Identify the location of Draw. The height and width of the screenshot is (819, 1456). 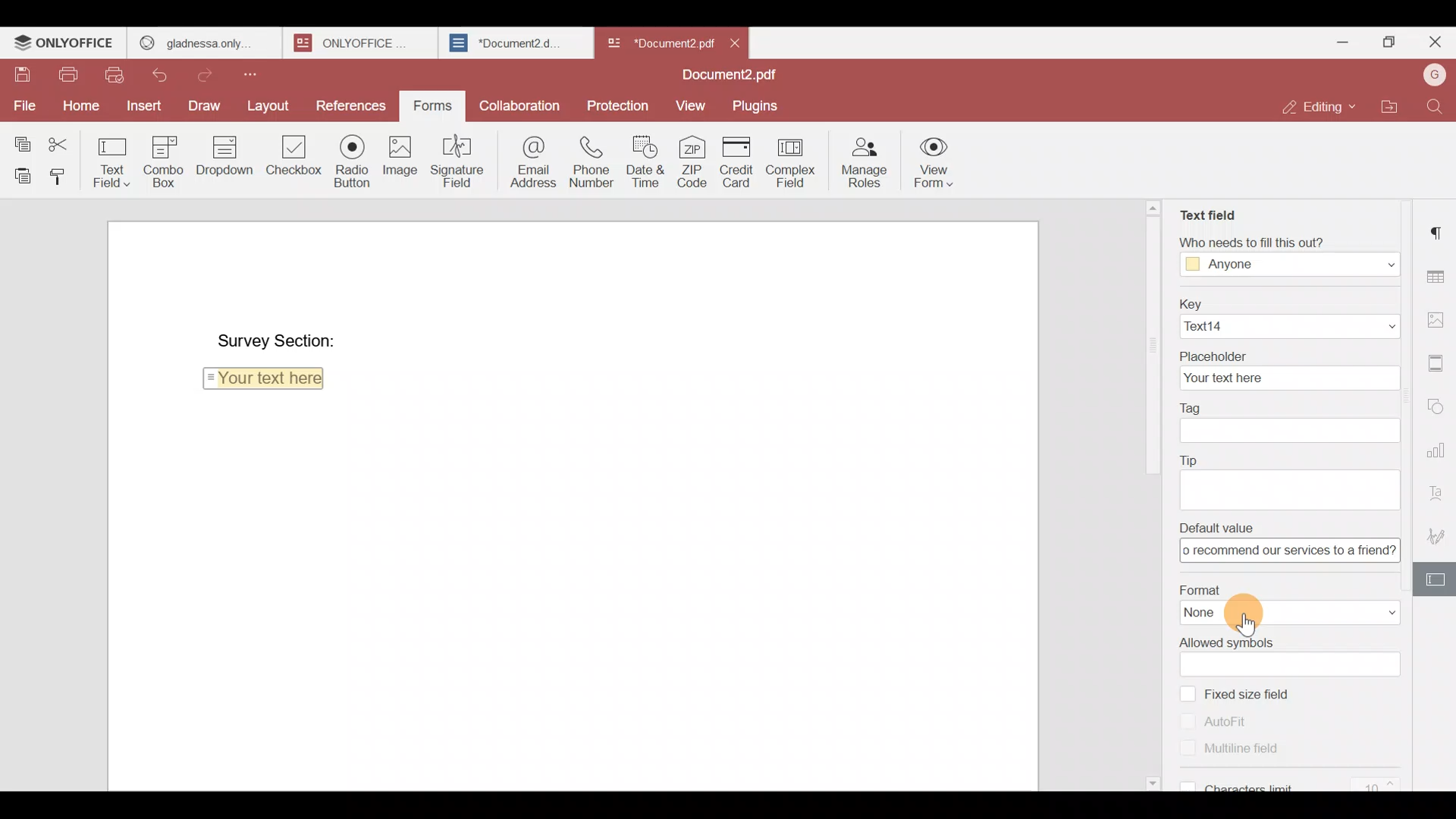
(204, 105).